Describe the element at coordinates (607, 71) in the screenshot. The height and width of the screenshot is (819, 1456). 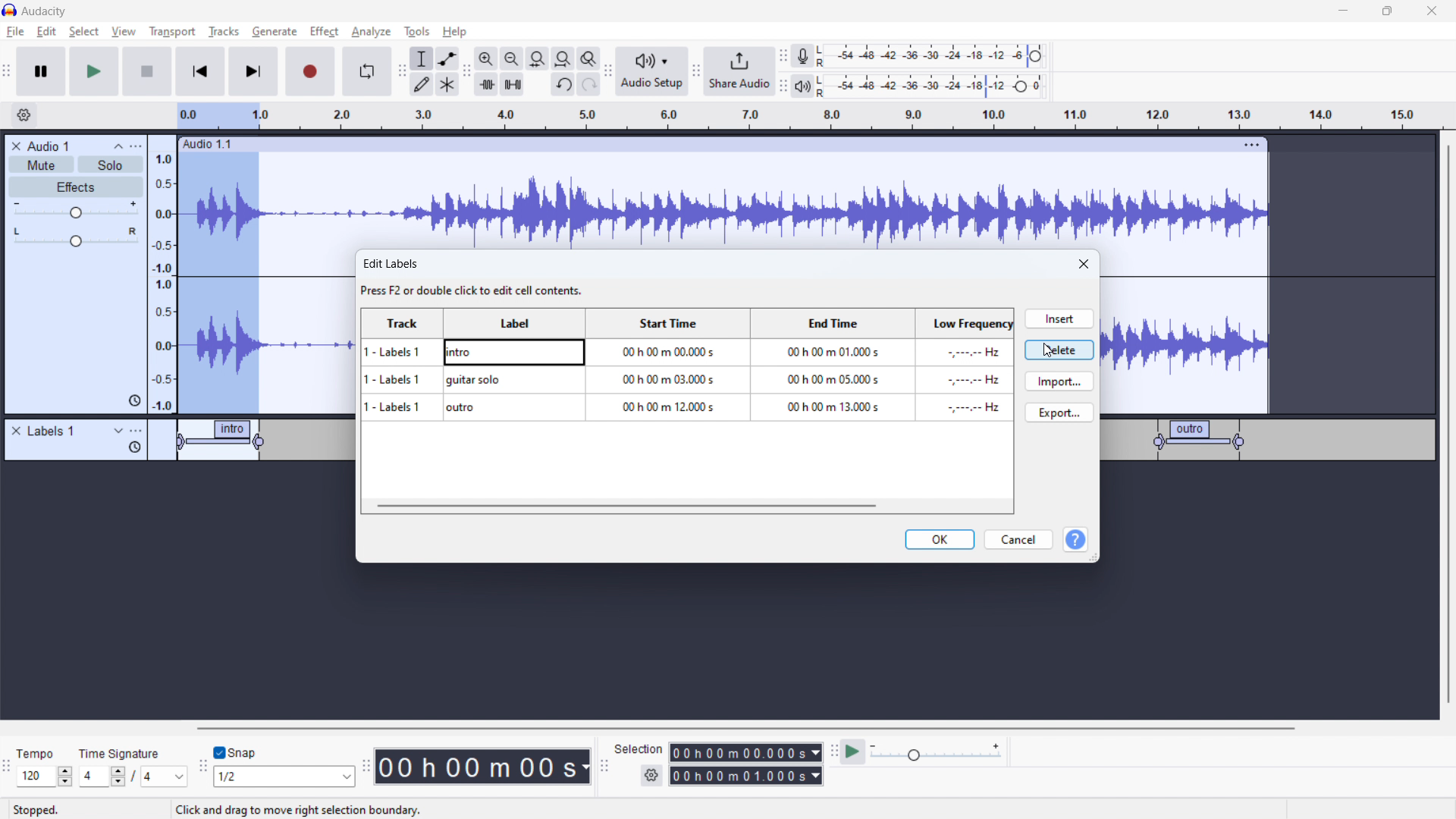
I see `audio setup toolbar` at that location.